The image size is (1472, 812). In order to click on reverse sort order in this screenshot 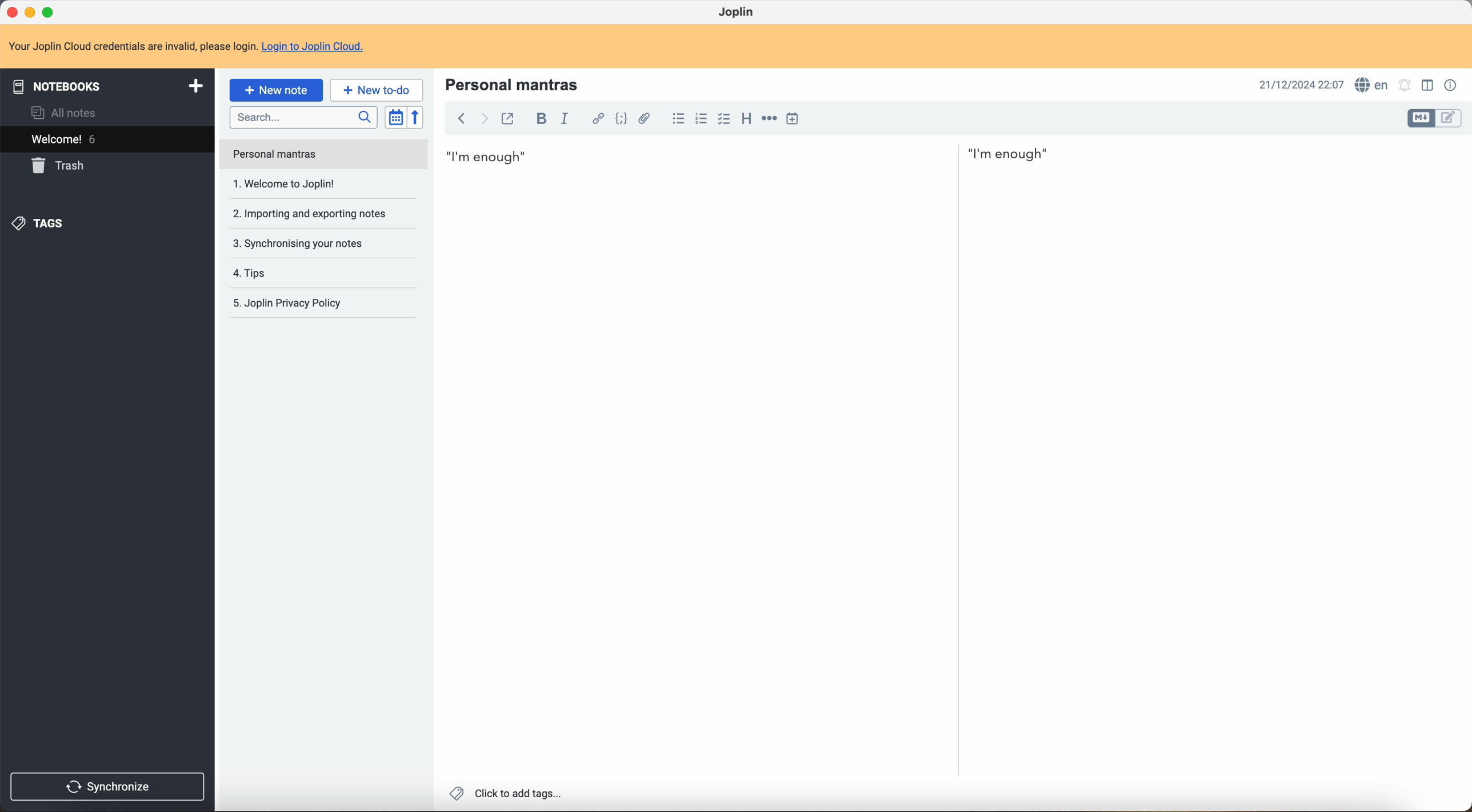, I will do `click(416, 118)`.